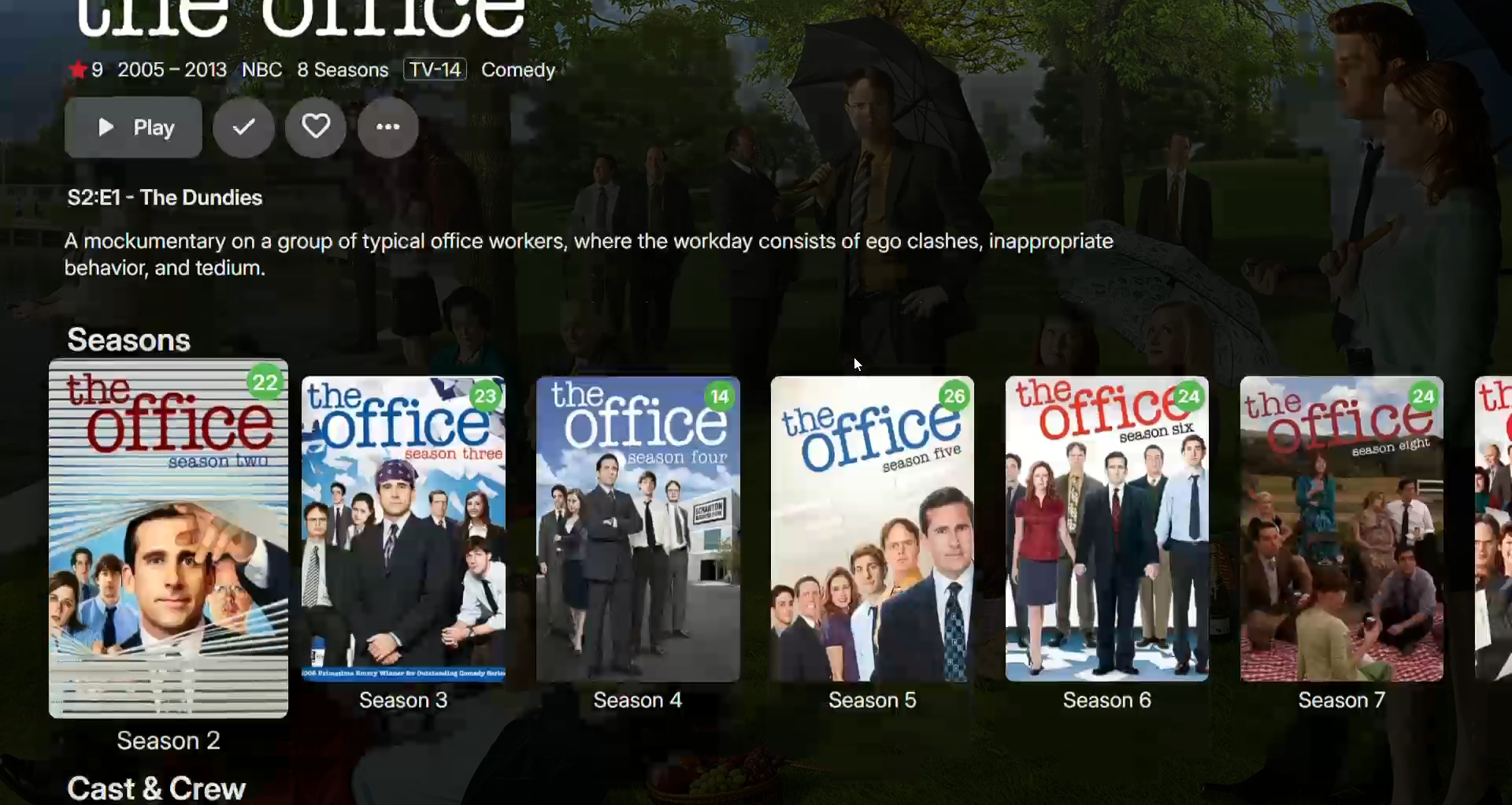  What do you see at coordinates (859, 361) in the screenshot?
I see `Cursor` at bounding box center [859, 361].